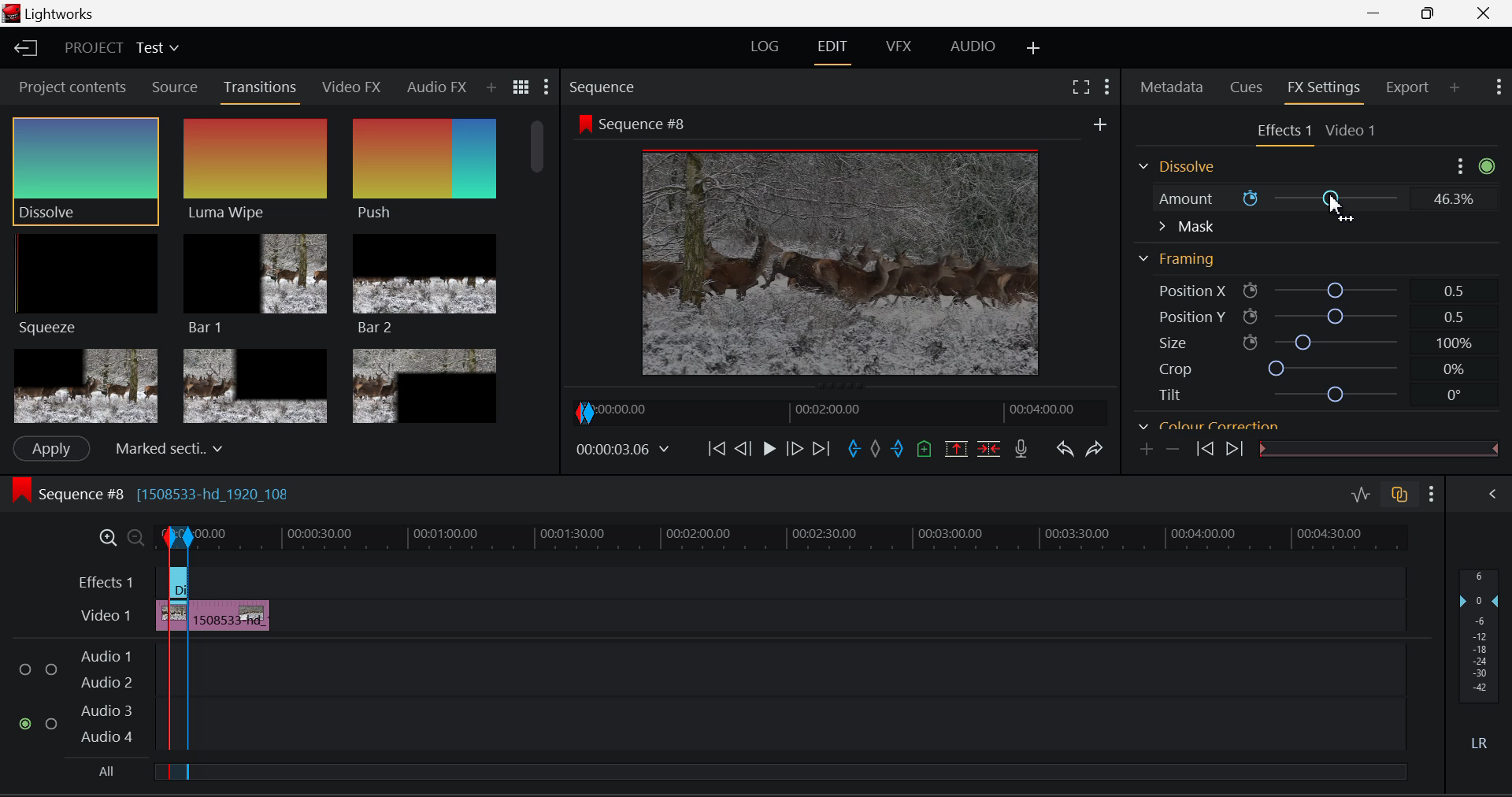 This screenshot has width=1512, height=797. I want to click on All, so click(102, 771).